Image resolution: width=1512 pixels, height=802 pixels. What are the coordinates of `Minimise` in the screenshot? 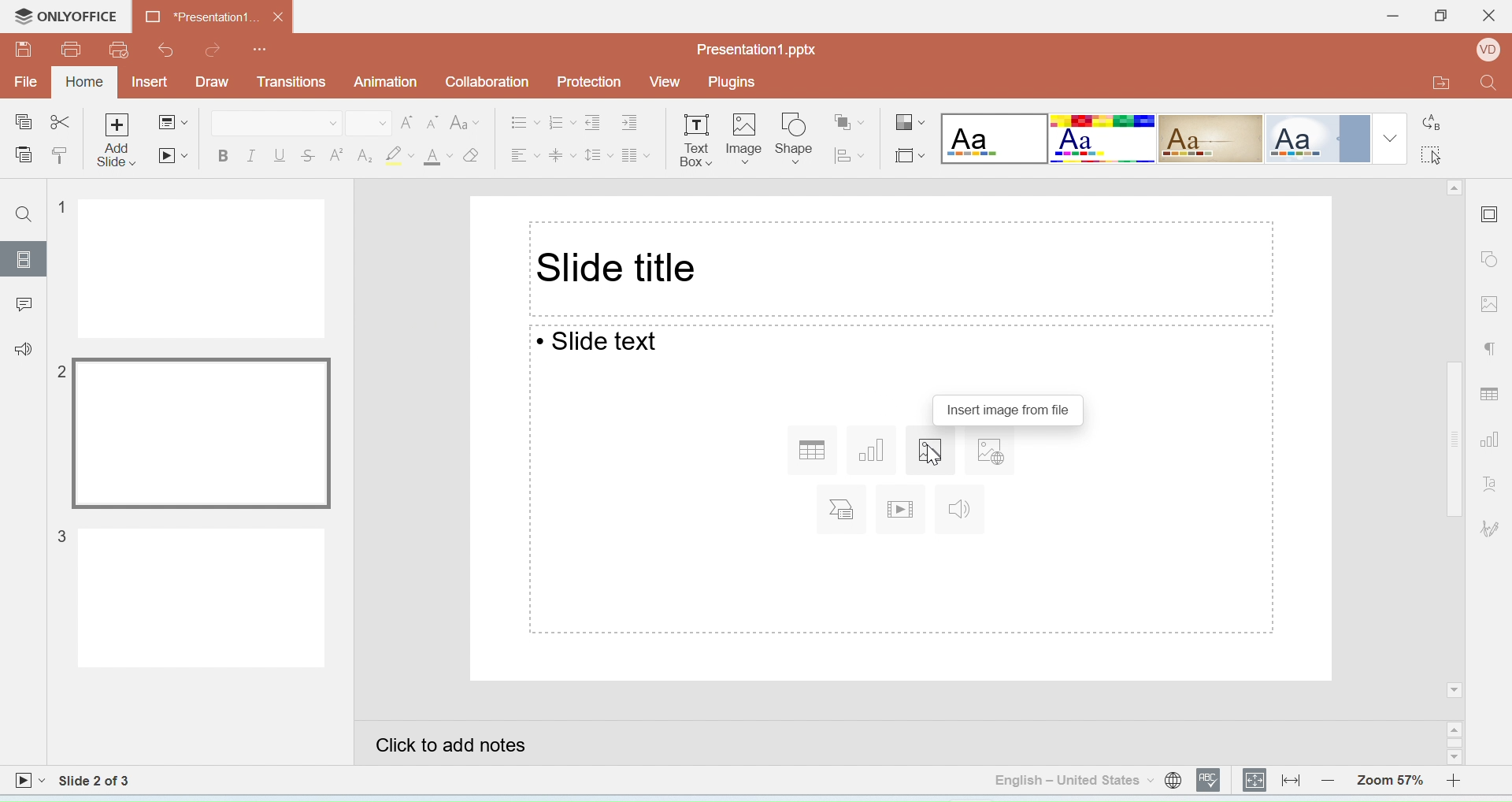 It's located at (1387, 17).